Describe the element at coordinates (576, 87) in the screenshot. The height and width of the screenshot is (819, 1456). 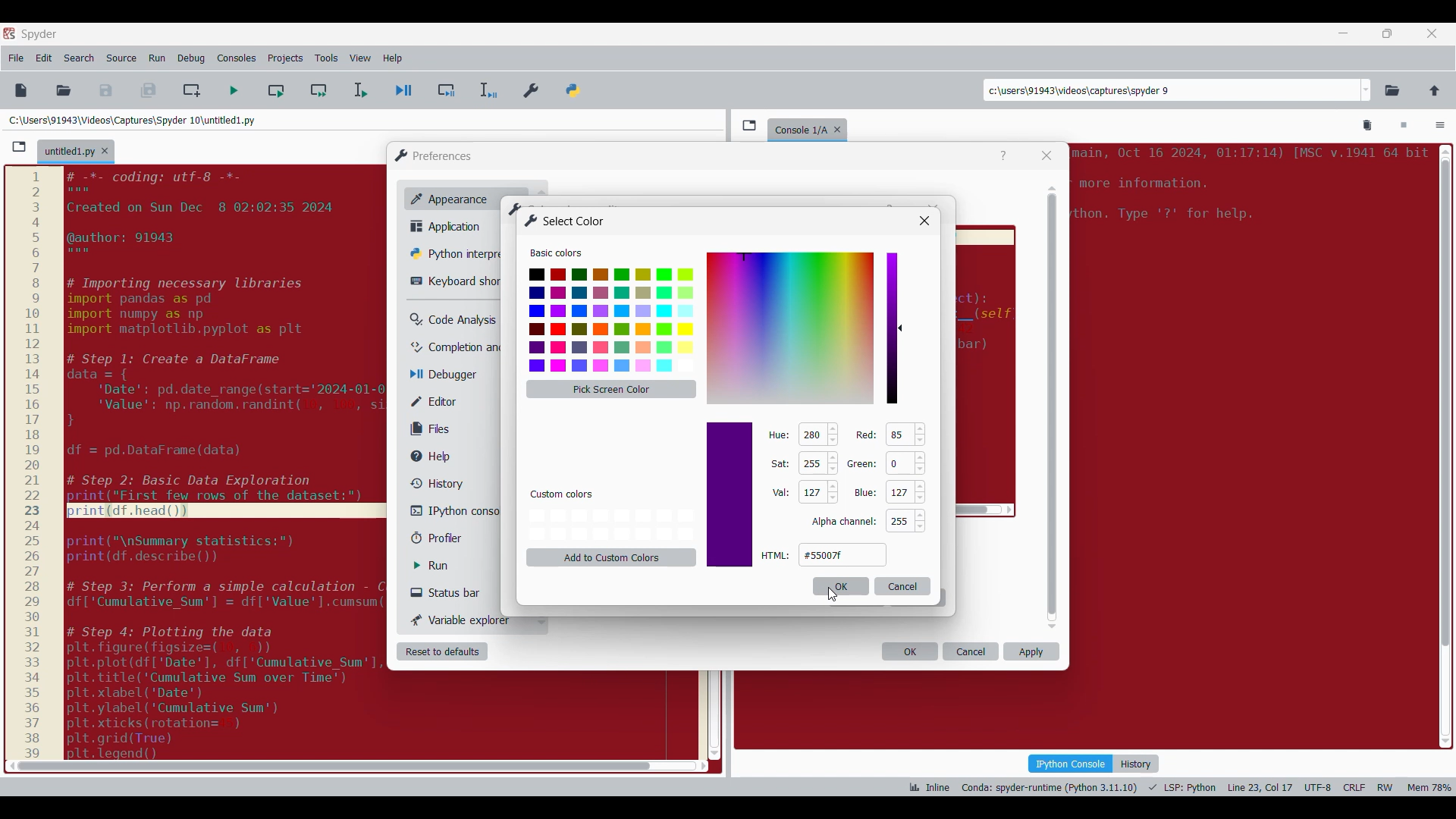
I see `PYTHONPATH manager` at that location.